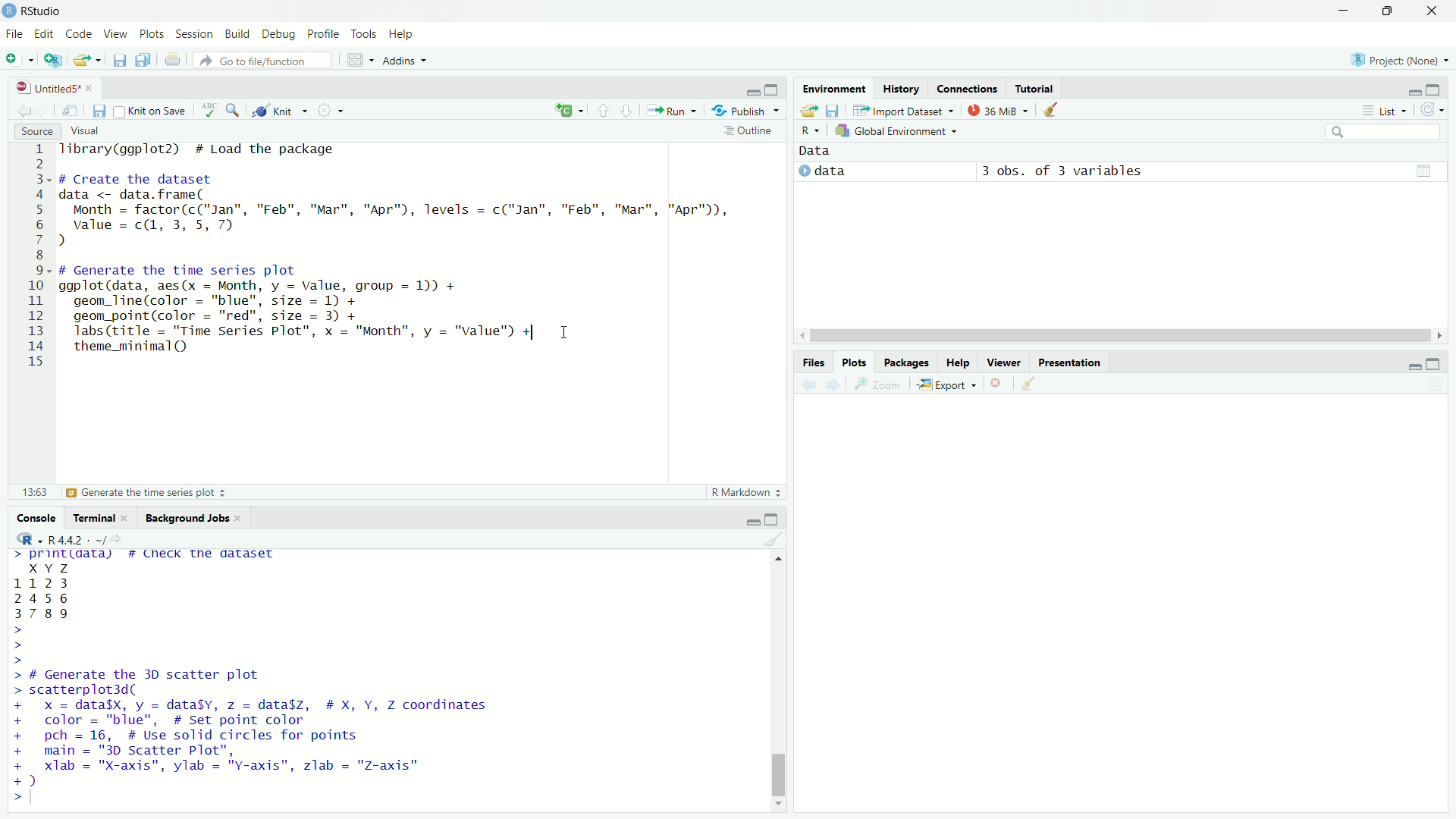 The width and height of the screenshot is (1456, 819). What do you see at coordinates (776, 86) in the screenshot?
I see `maximize` at bounding box center [776, 86].